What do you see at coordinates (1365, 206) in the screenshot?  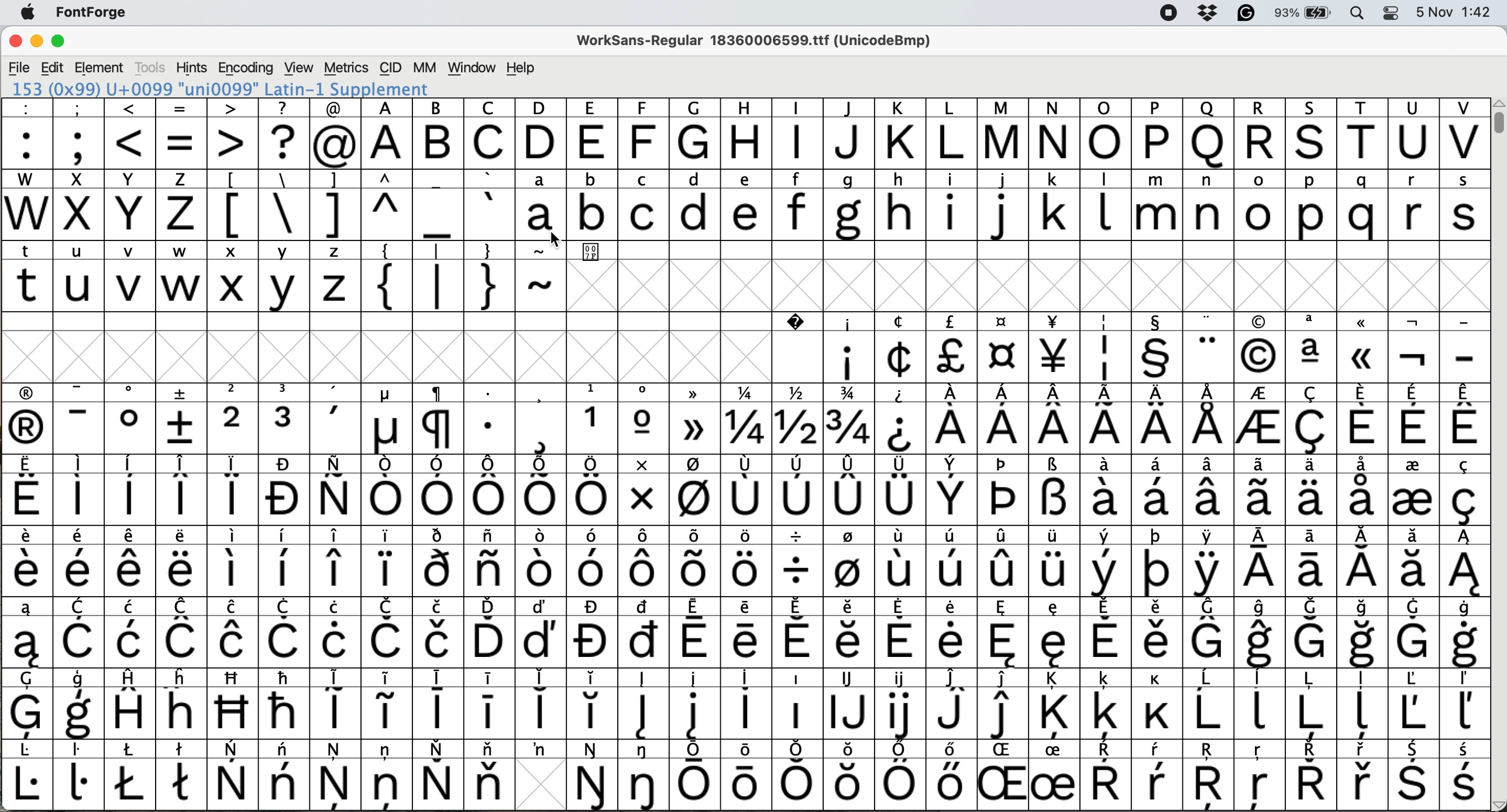 I see `q` at bounding box center [1365, 206].